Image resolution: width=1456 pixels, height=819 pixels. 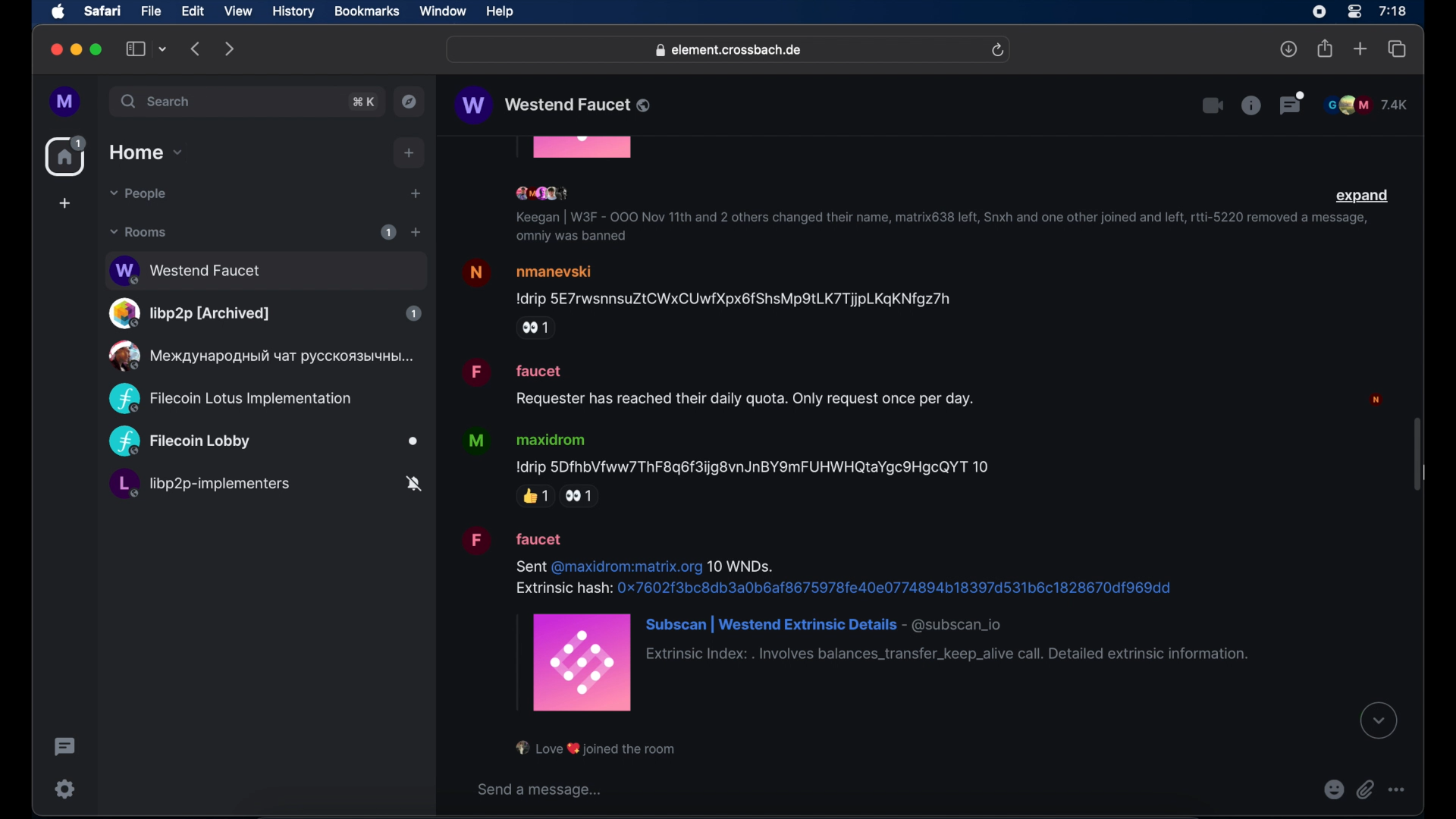 I want to click on edit, so click(x=193, y=11).